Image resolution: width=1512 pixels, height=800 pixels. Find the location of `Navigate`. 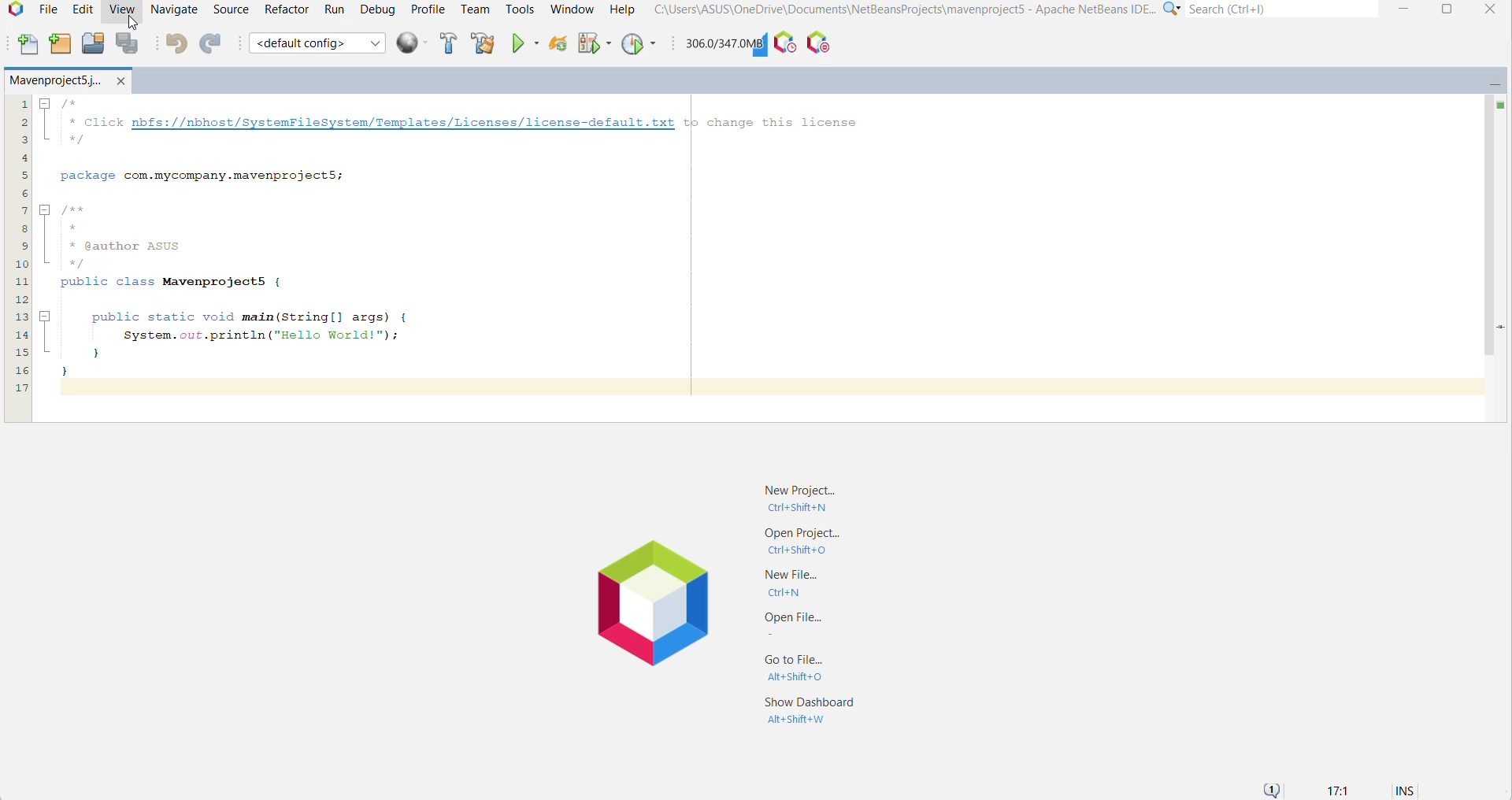

Navigate is located at coordinates (175, 9).